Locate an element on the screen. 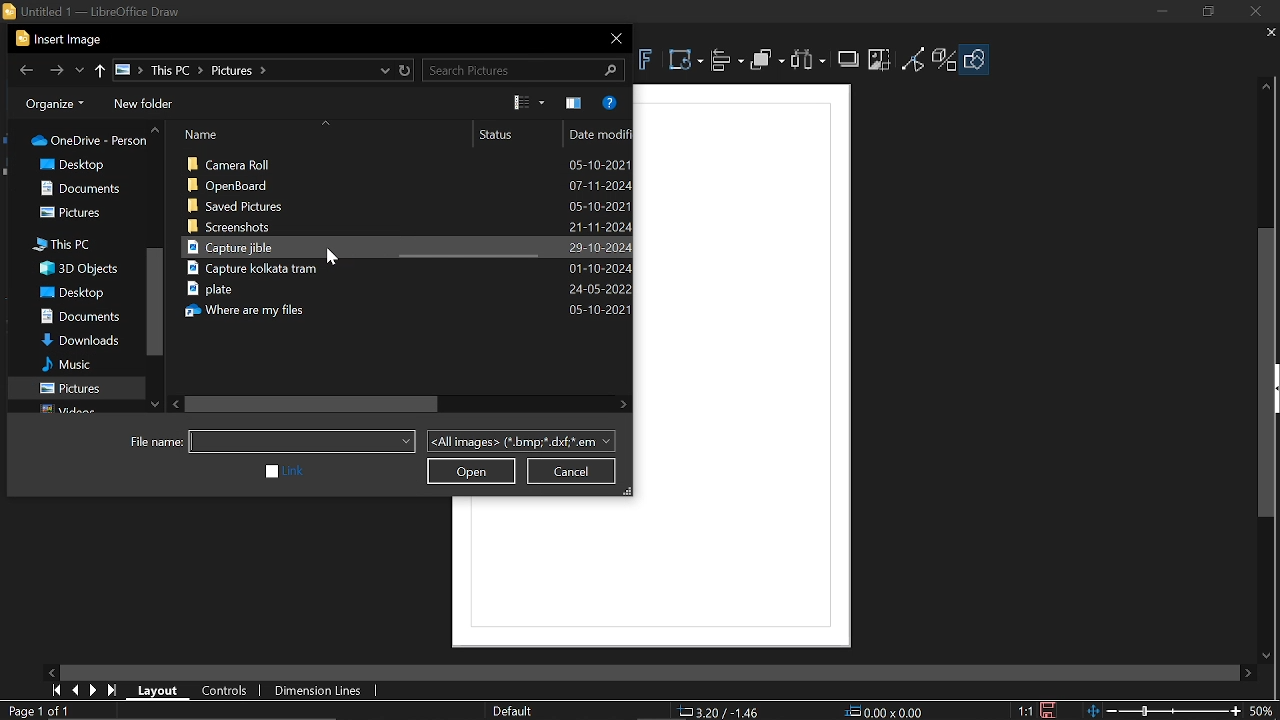  Pages is located at coordinates (36, 711).